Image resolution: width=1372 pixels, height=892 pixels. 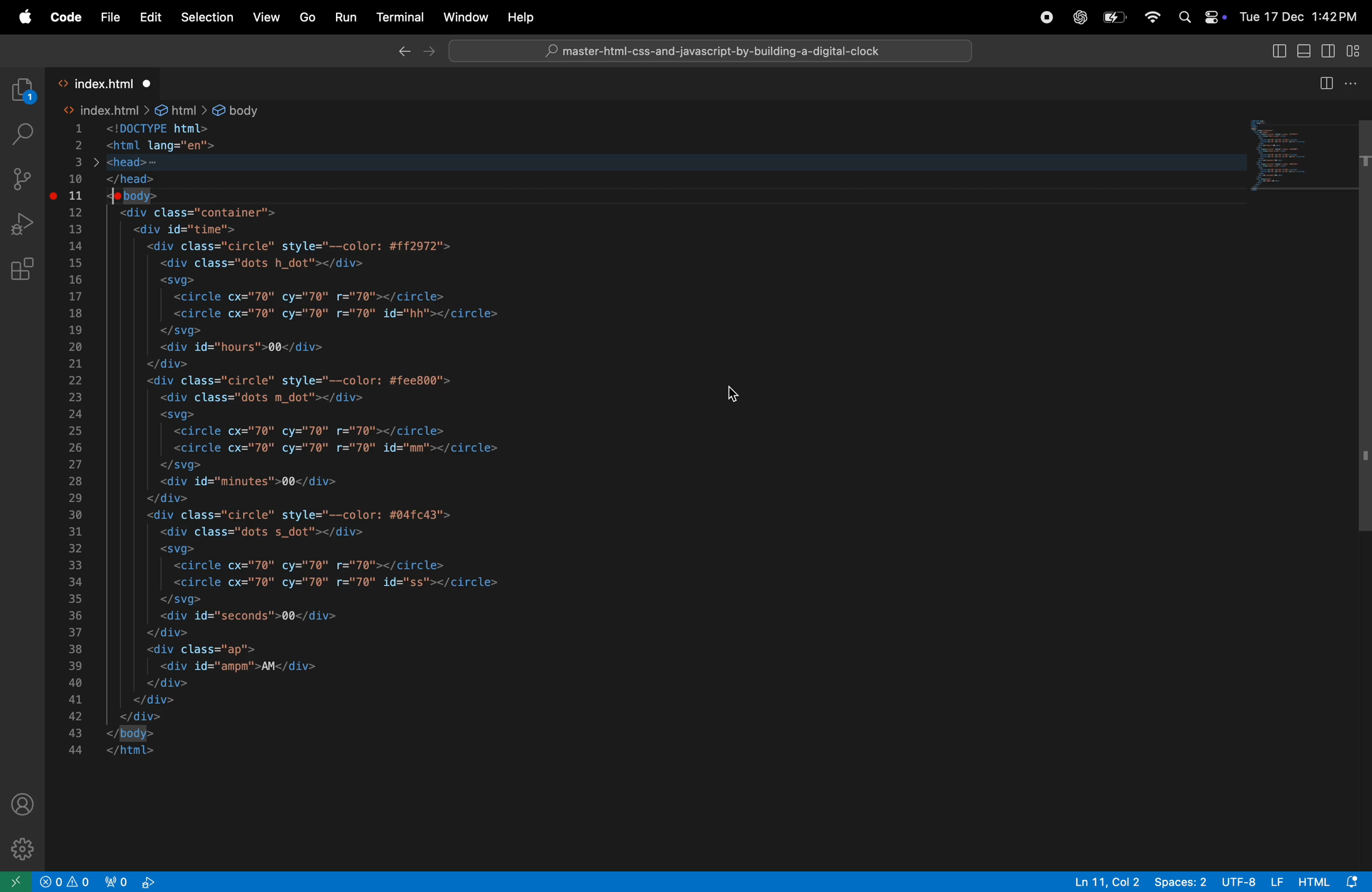 What do you see at coordinates (1114, 20) in the screenshot?
I see `battery` at bounding box center [1114, 20].